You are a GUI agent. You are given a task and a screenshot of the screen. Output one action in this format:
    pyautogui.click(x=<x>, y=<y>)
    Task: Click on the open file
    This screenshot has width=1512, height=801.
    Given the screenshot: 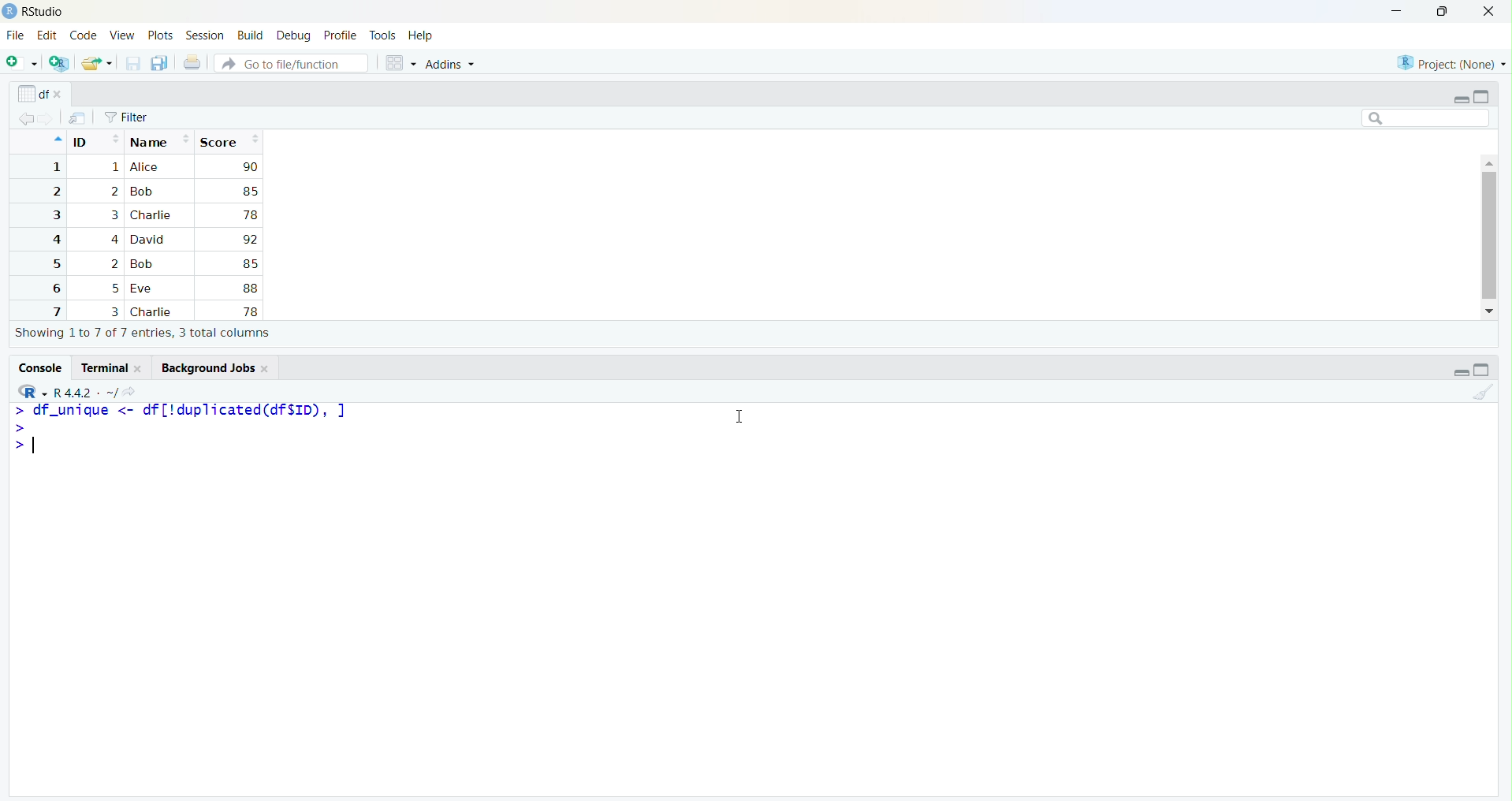 What is the action you would take?
    pyautogui.click(x=97, y=64)
    